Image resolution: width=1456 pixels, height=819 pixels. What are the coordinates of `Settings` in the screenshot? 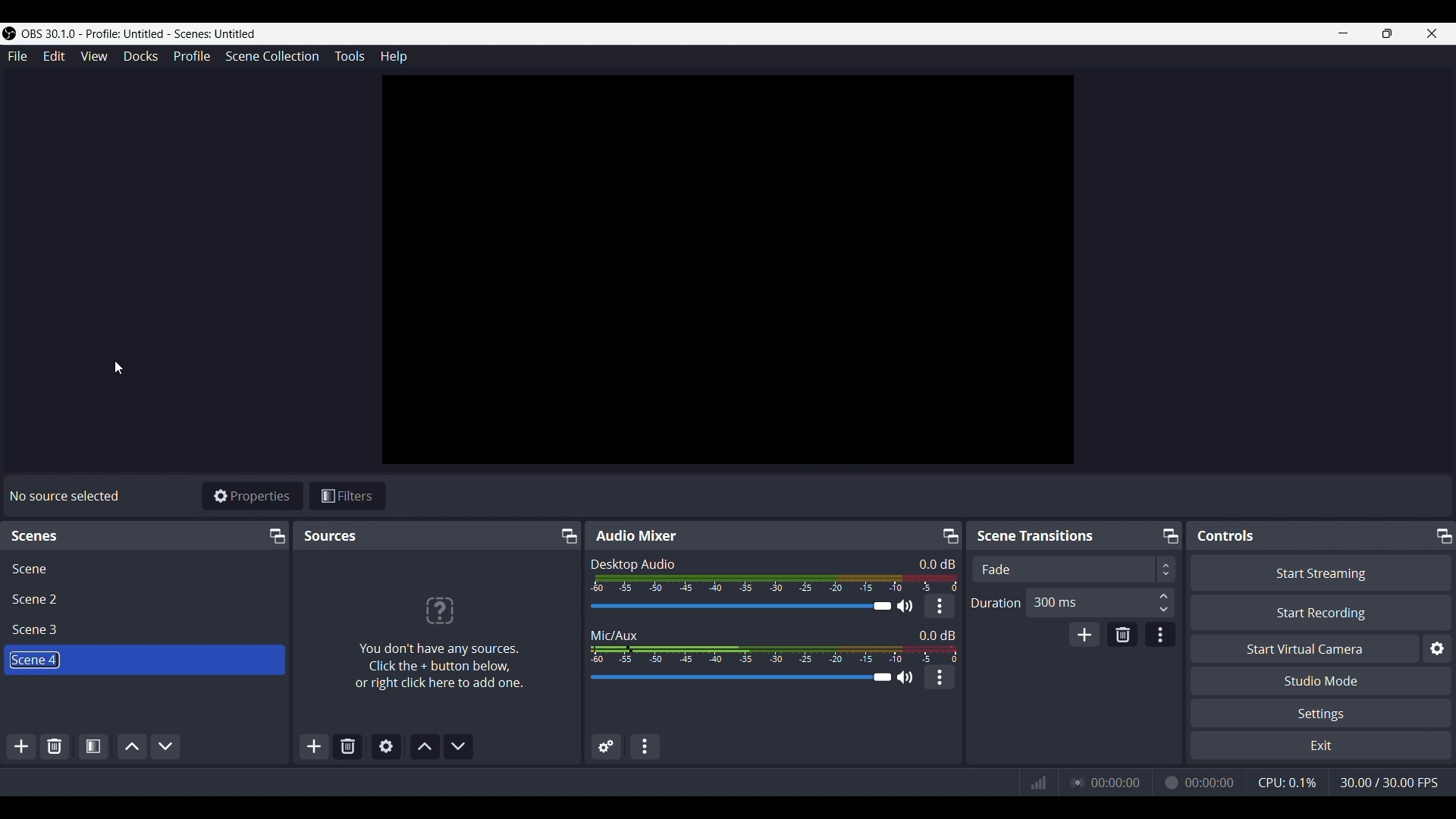 It's located at (1324, 714).